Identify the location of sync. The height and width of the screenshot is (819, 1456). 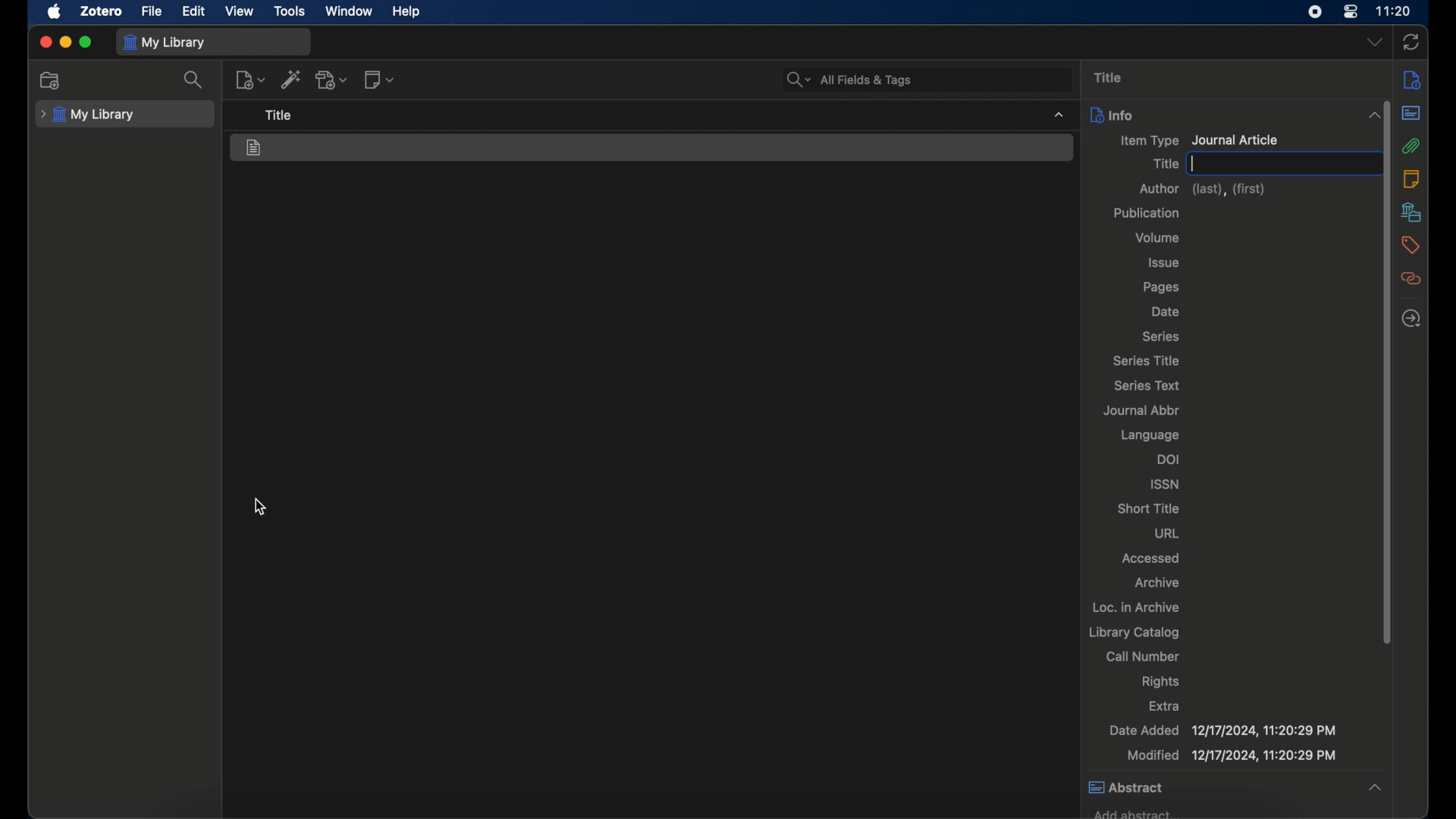
(1411, 42).